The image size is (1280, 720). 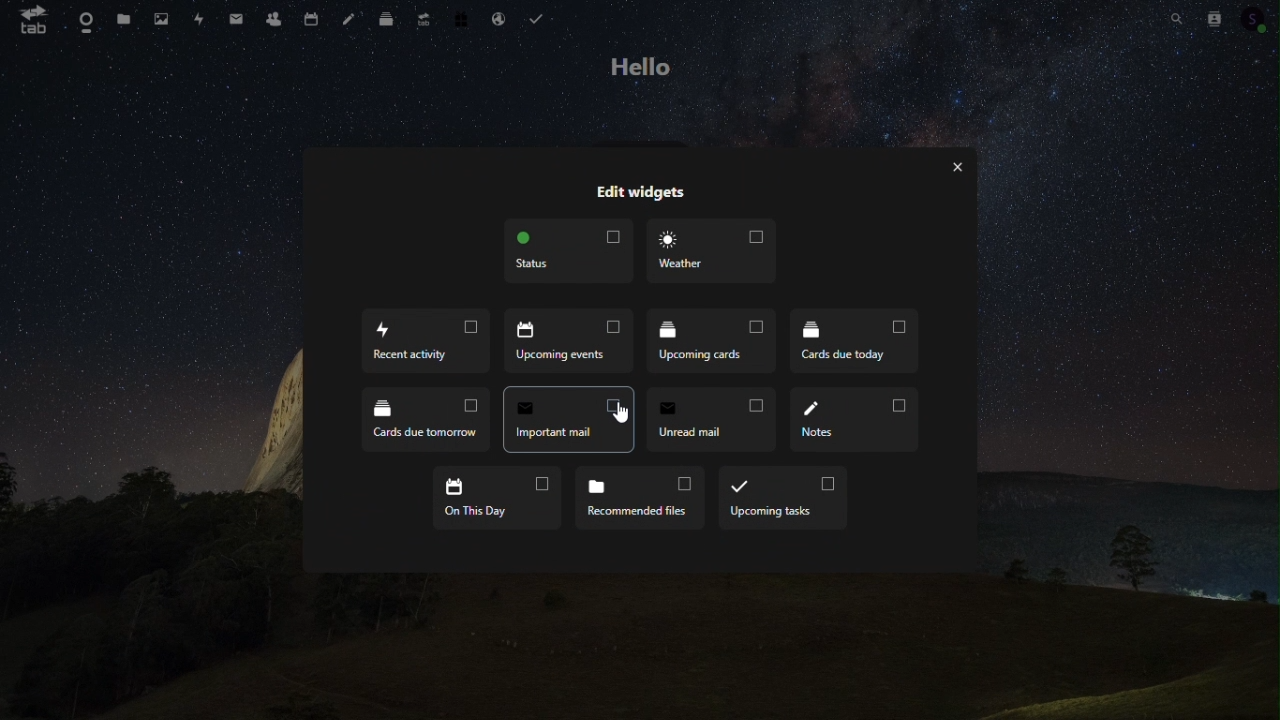 What do you see at coordinates (386, 17) in the screenshot?
I see `deck` at bounding box center [386, 17].